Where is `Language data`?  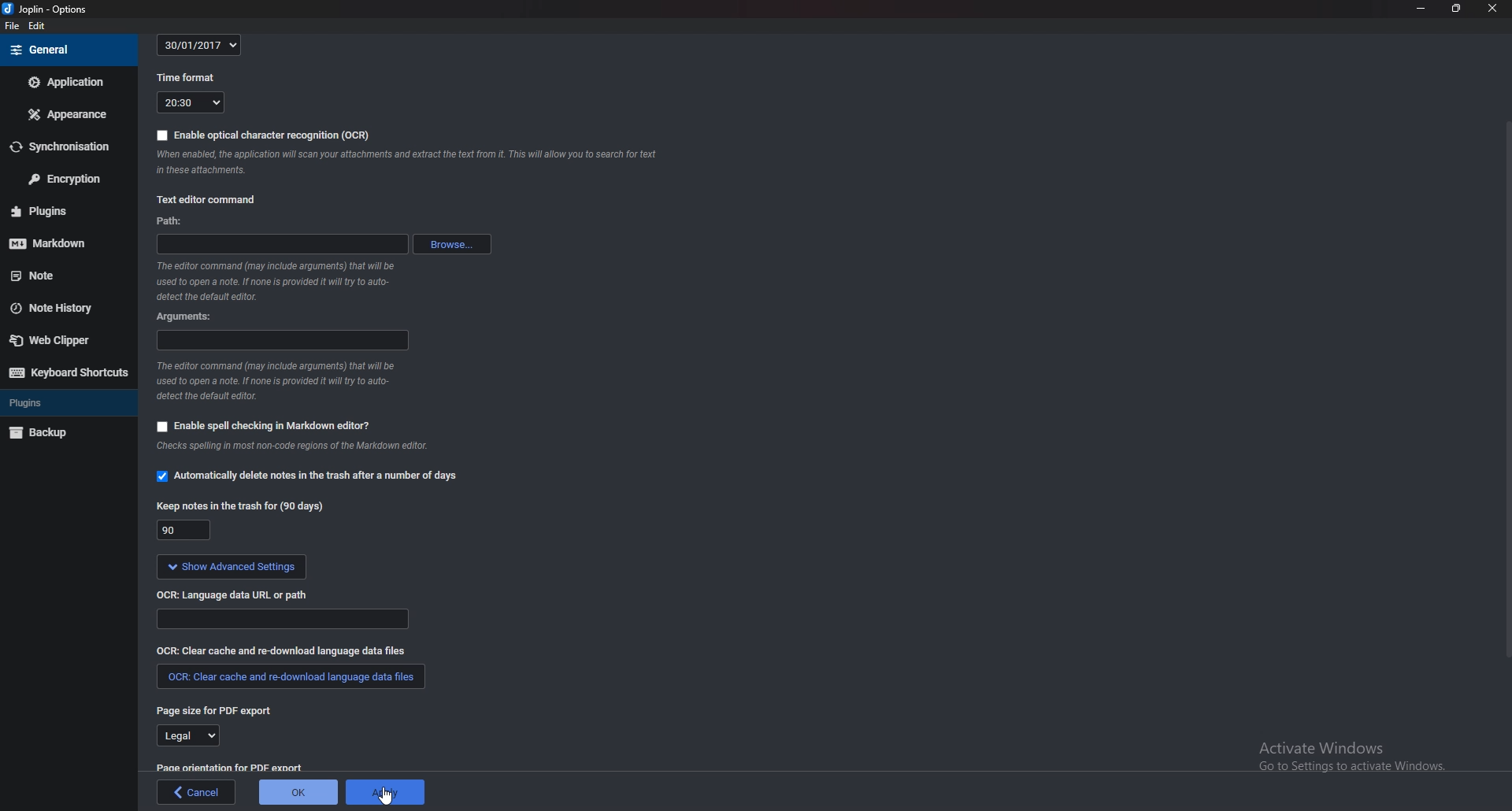
Language data is located at coordinates (284, 620).